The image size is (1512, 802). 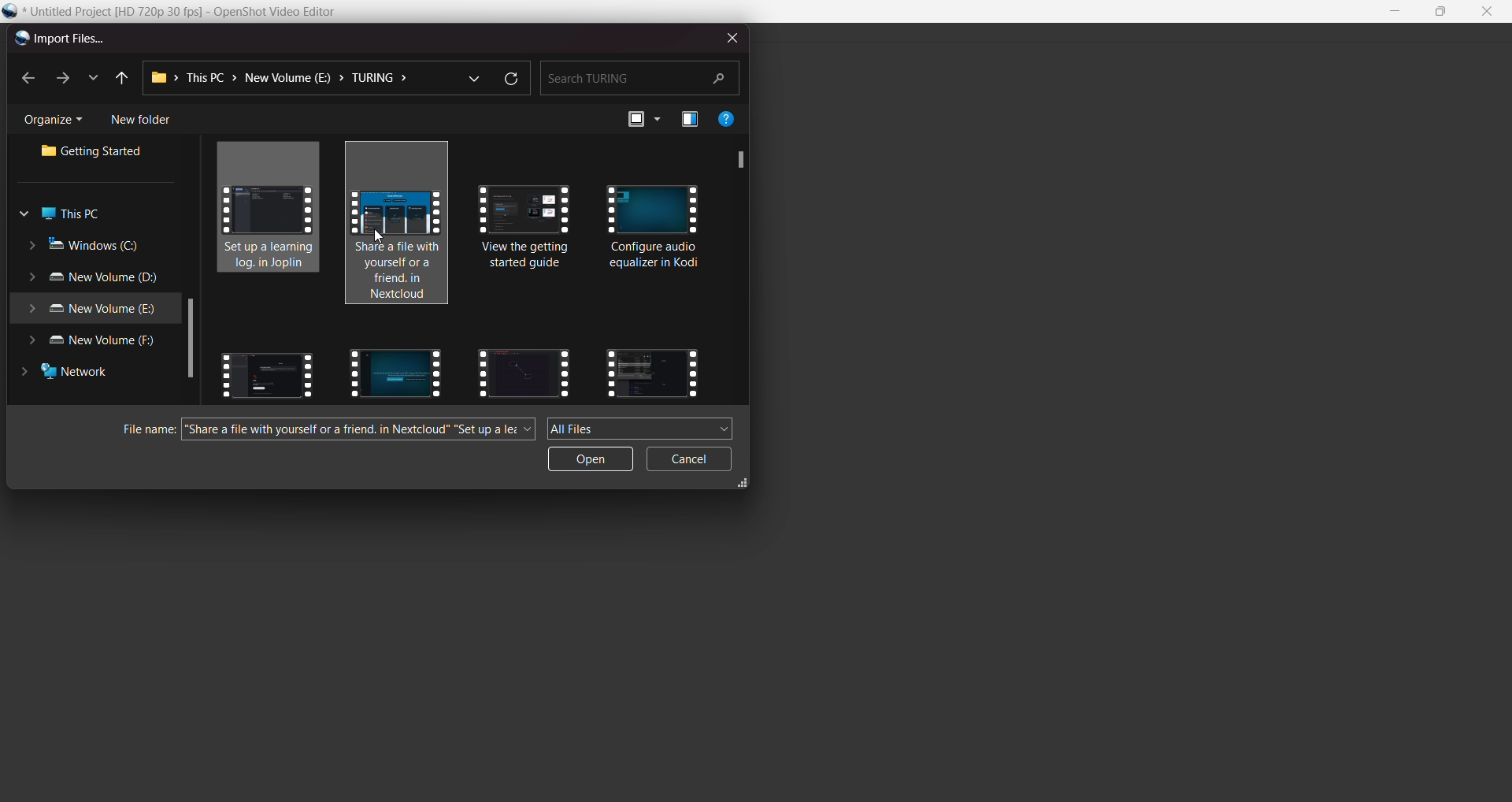 What do you see at coordinates (65, 214) in the screenshot?
I see `this pc` at bounding box center [65, 214].